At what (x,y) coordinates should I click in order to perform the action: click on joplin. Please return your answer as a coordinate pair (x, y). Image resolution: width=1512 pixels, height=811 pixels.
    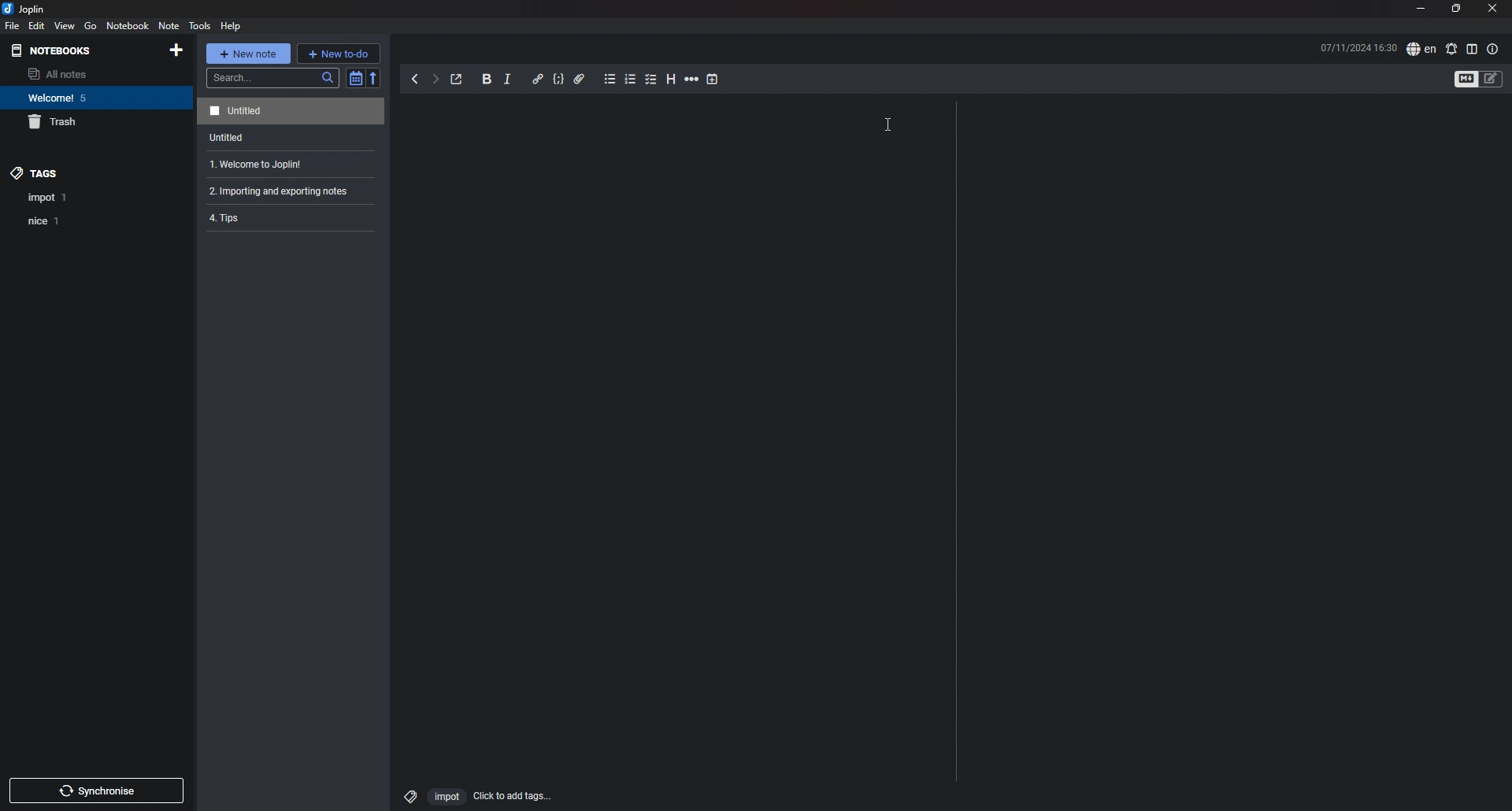
    Looking at the image, I should click on (27, 9).